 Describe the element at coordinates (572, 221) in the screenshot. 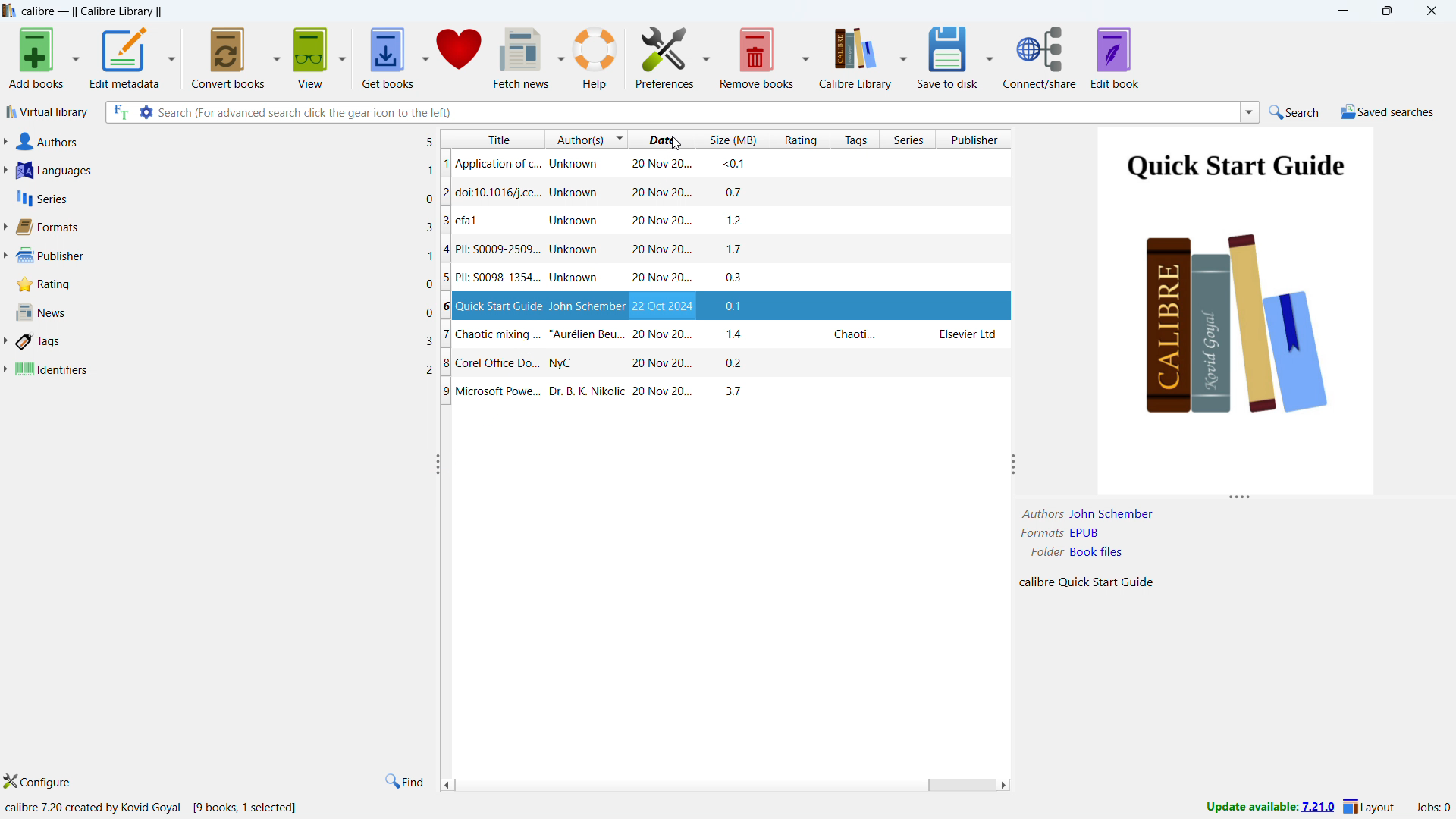

I see `Unknown` at that location.